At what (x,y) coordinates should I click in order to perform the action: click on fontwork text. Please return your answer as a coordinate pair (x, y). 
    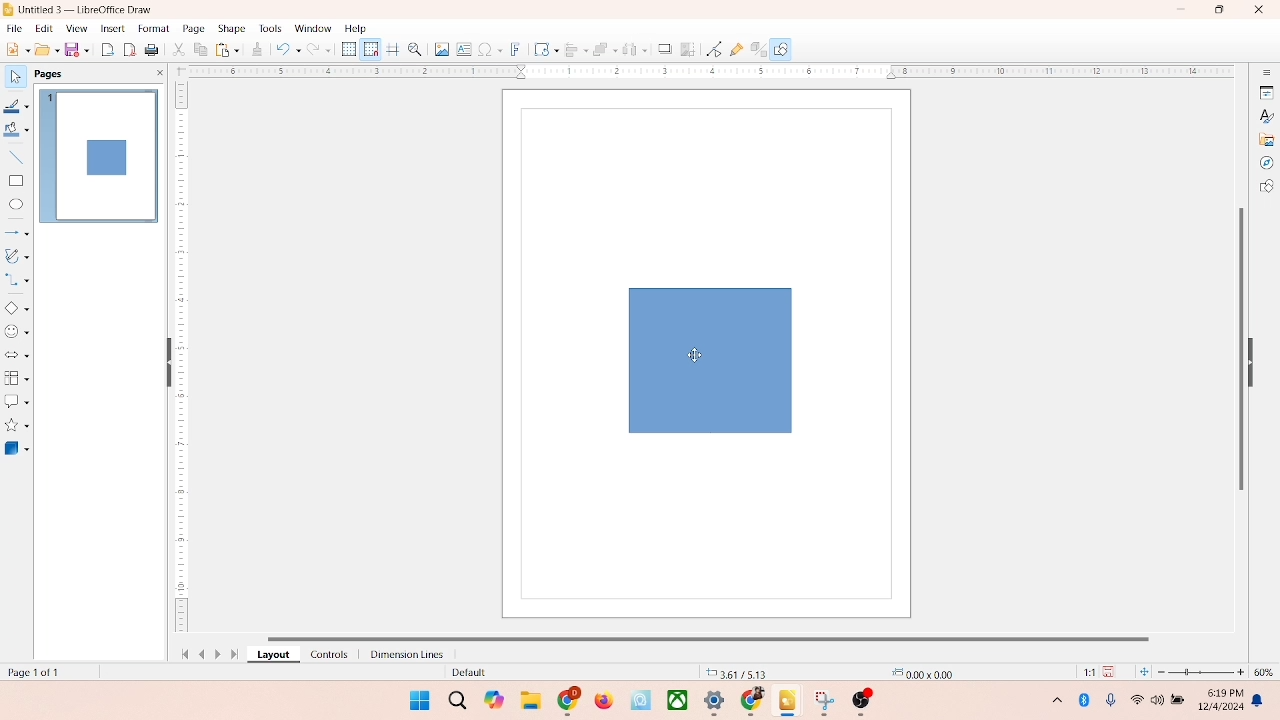
    Looking at the image, I should click on (516, 47).